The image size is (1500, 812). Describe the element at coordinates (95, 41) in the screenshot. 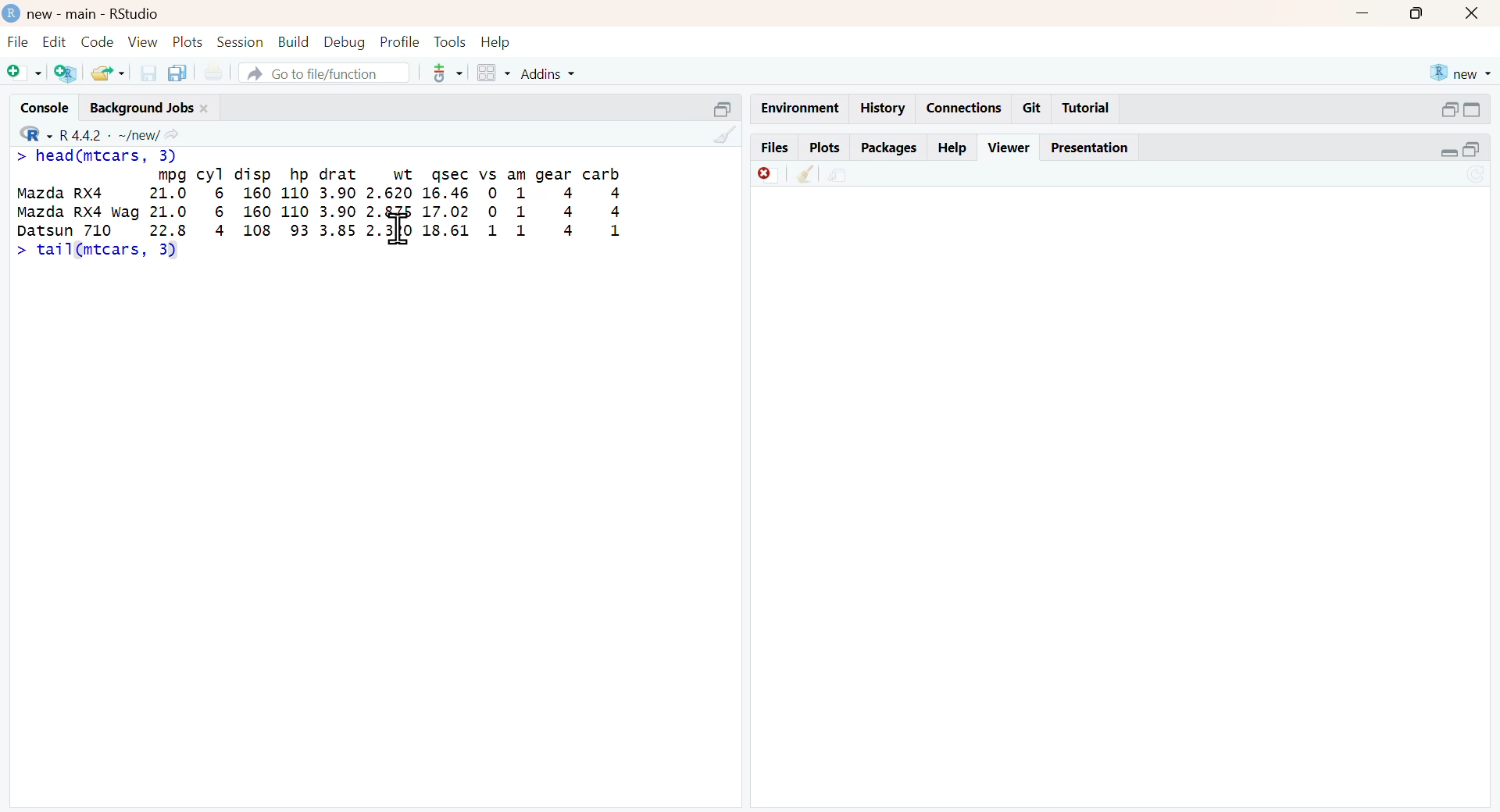

I see `Code` at that location.